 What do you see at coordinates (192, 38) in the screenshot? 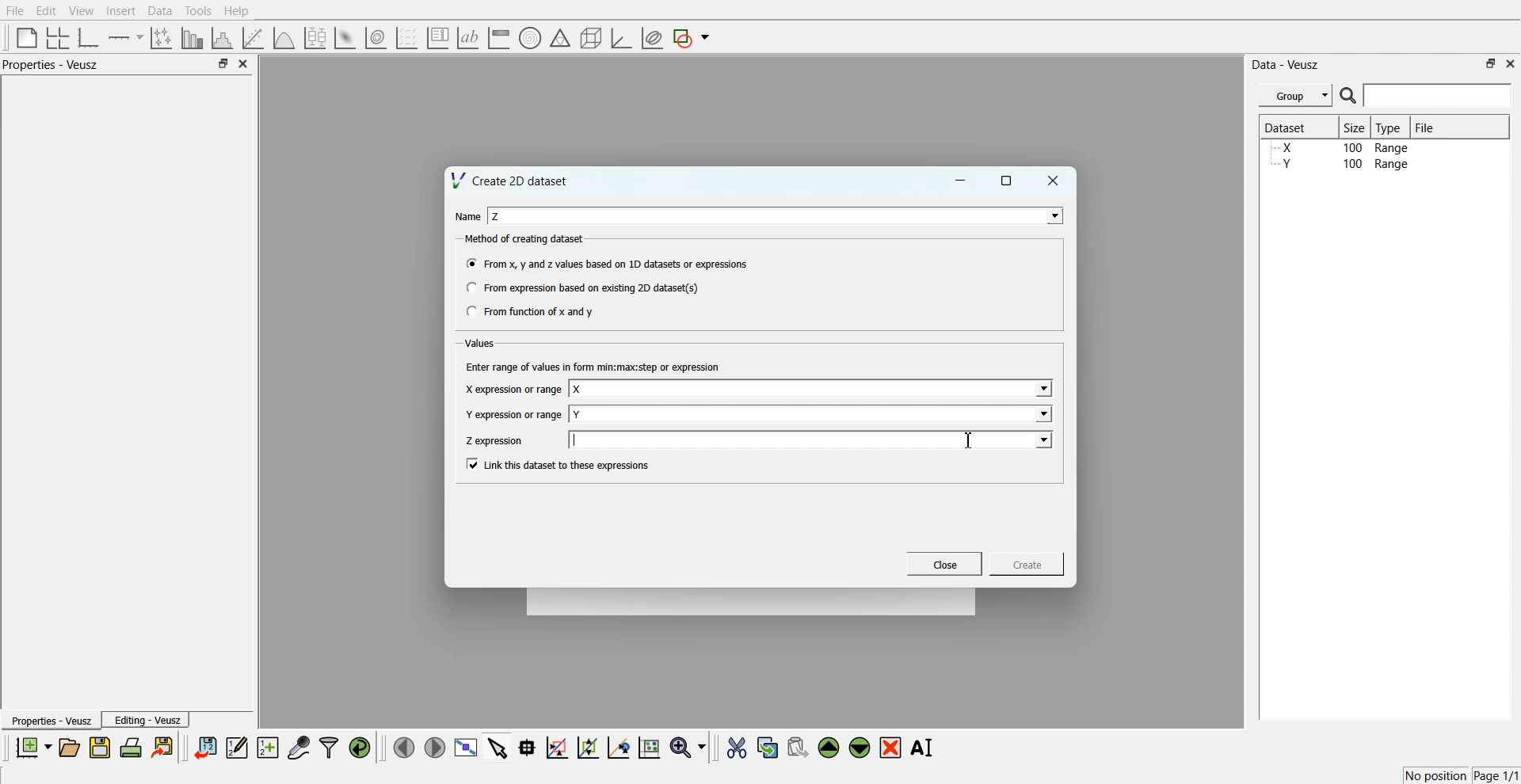
I see `Plot bar chart` at bounding box center [192, 38].